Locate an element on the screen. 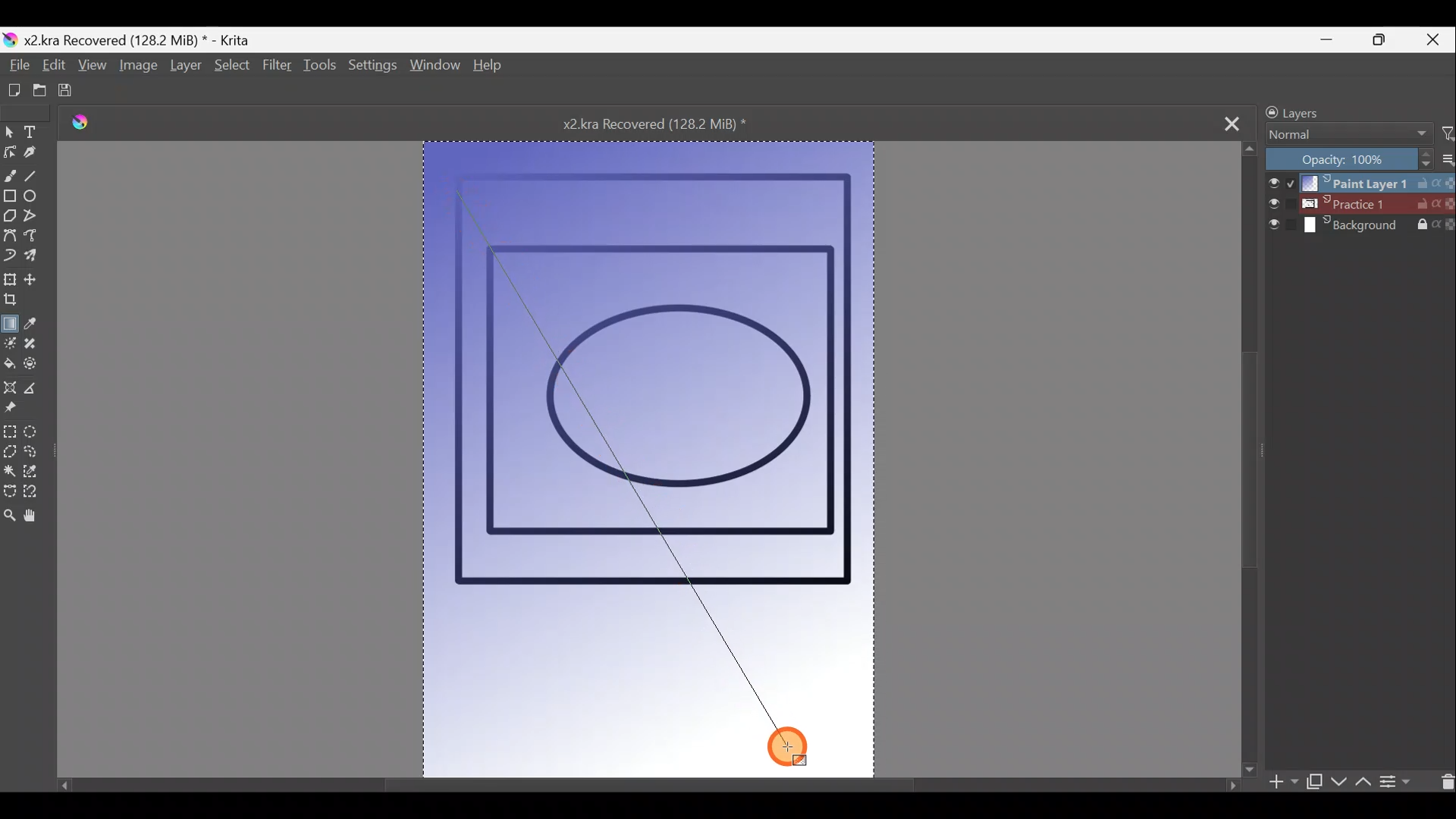  Create new document is located at coordinates (10, 90).